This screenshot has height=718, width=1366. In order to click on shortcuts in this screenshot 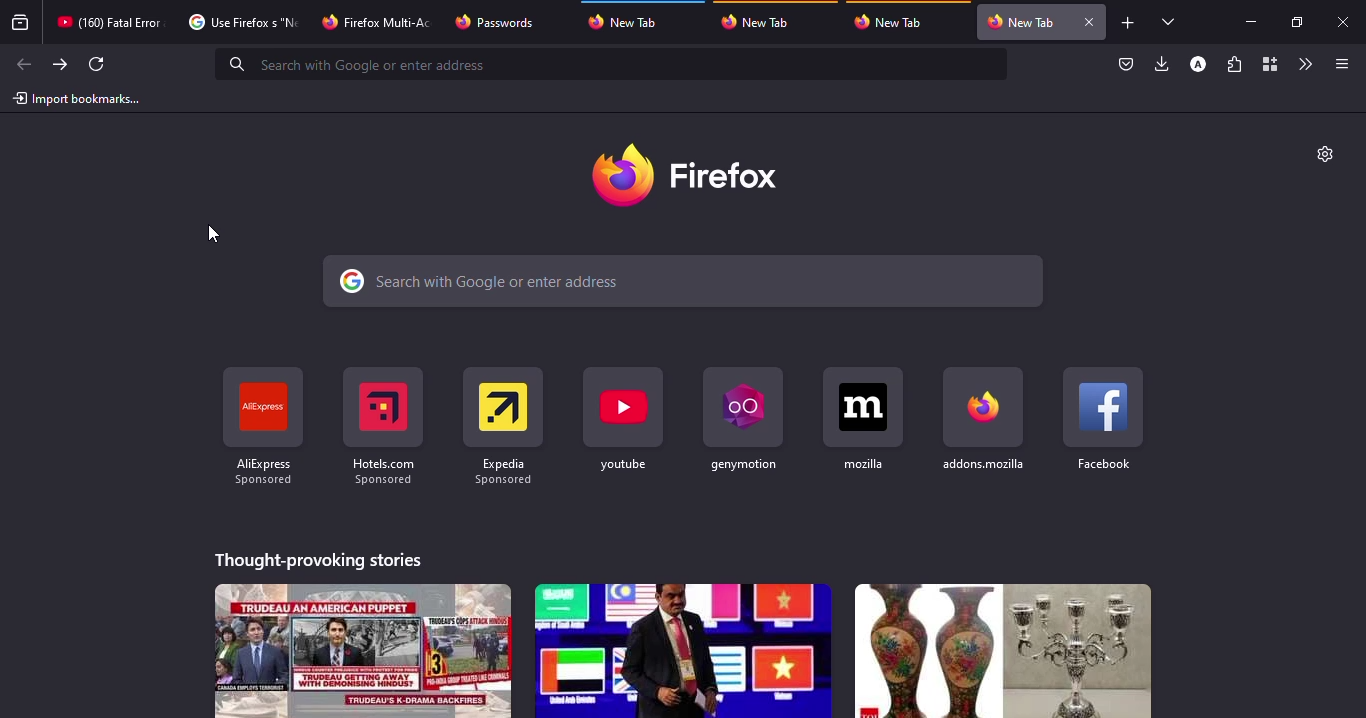, I will do `click(742, 423)`.